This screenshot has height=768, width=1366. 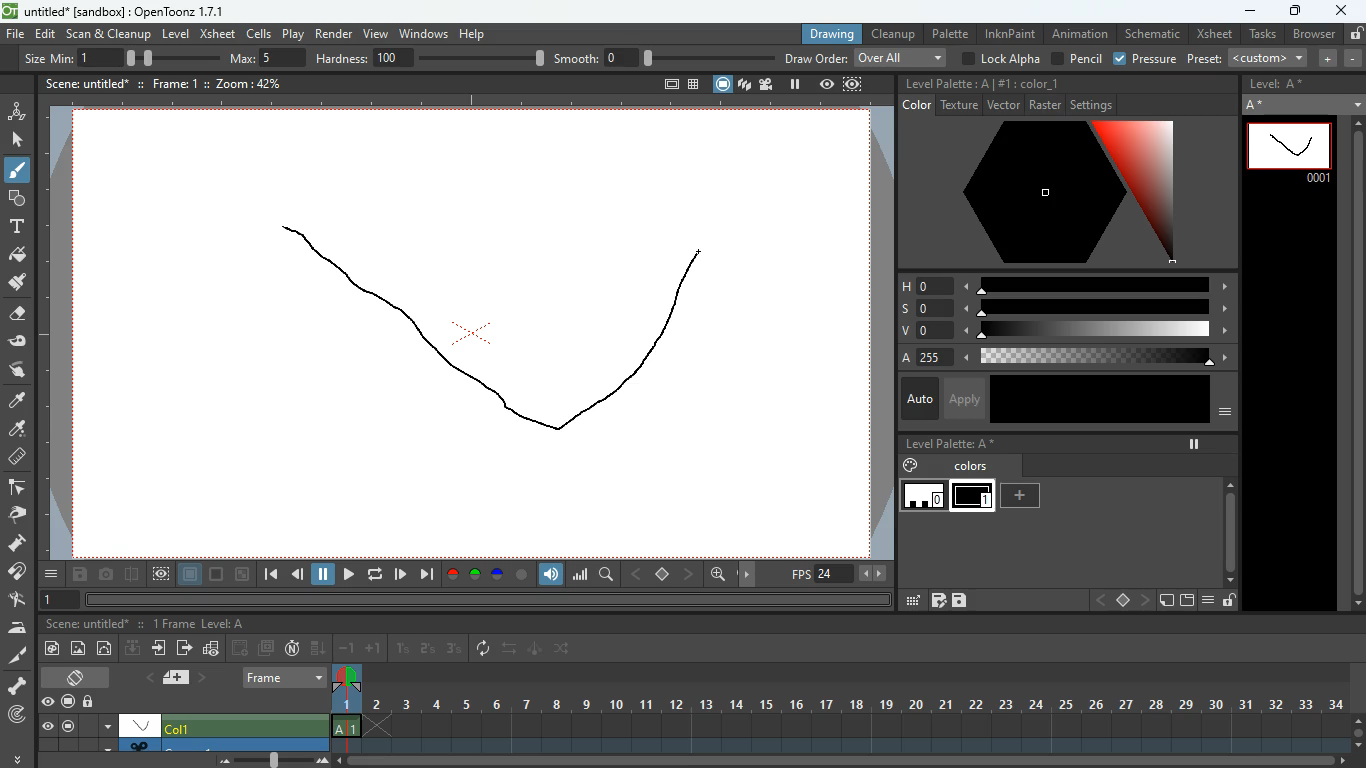 What do you see at coordinates (1048, 193) in the screenshot?
I see `color` at bounding box center [1048, 193].